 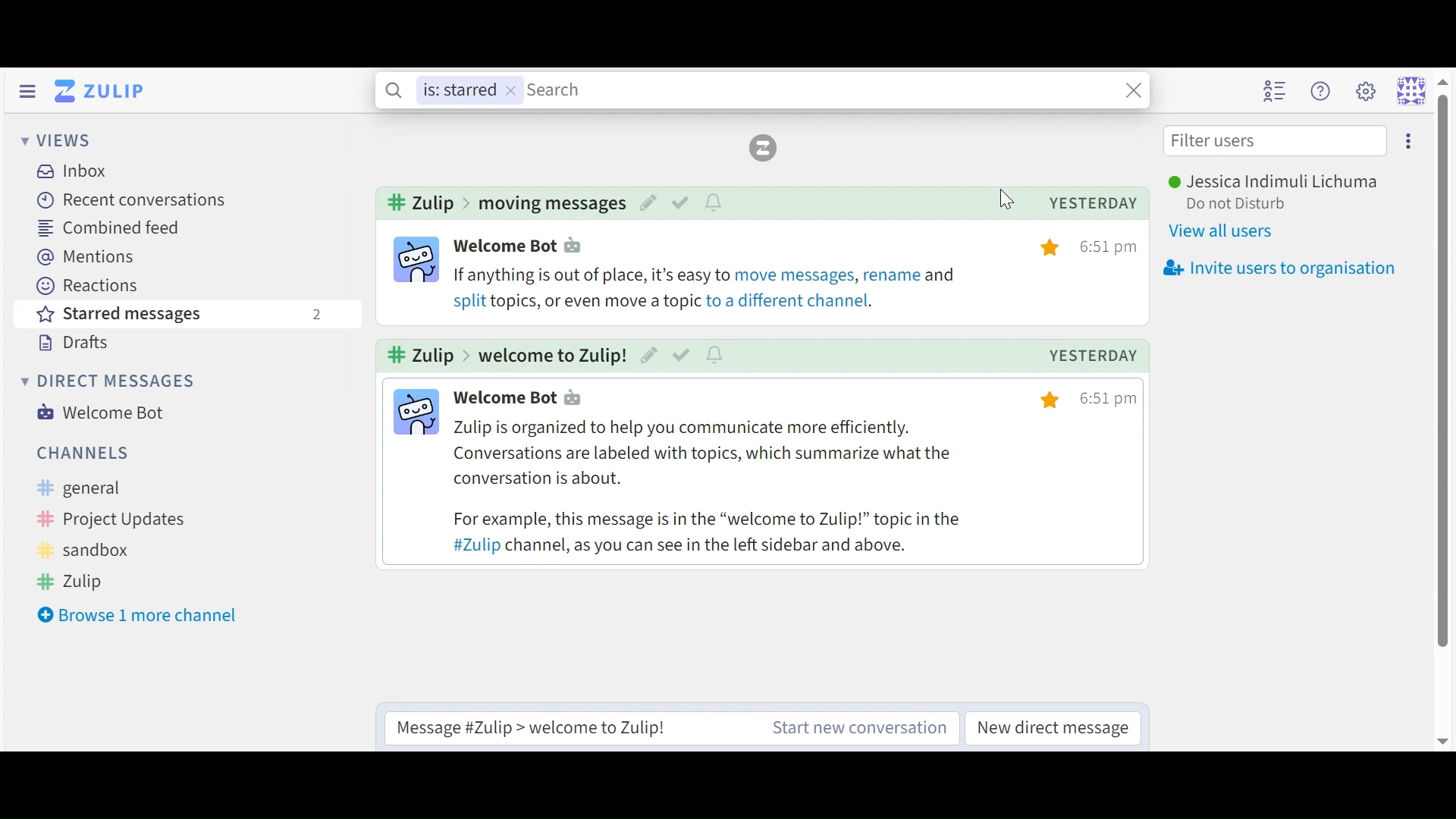 I want to click on Direct messages, so click(x=107, y=379).